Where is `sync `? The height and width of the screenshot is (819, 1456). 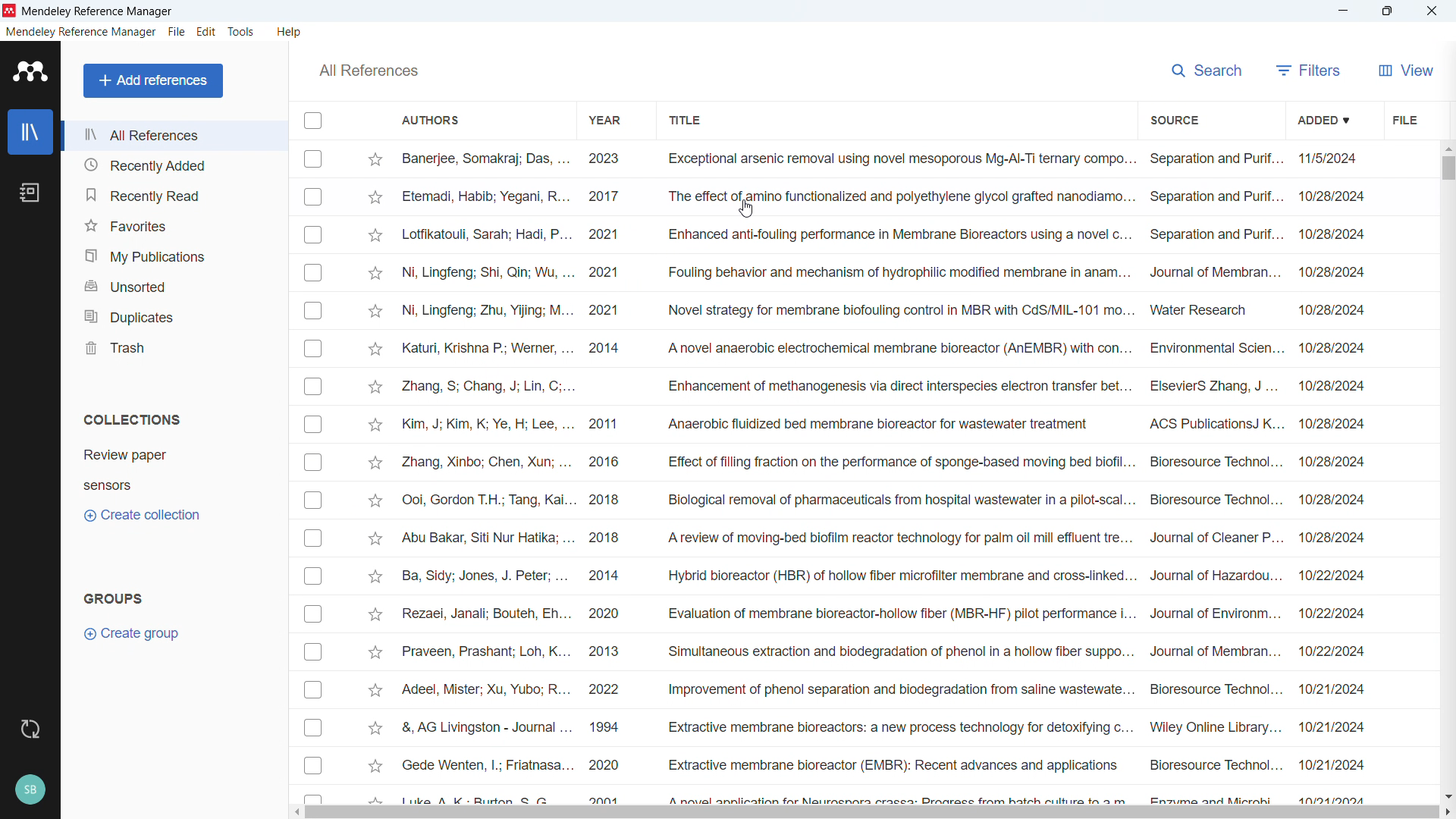
sync  is located at coordinates (30, 728).